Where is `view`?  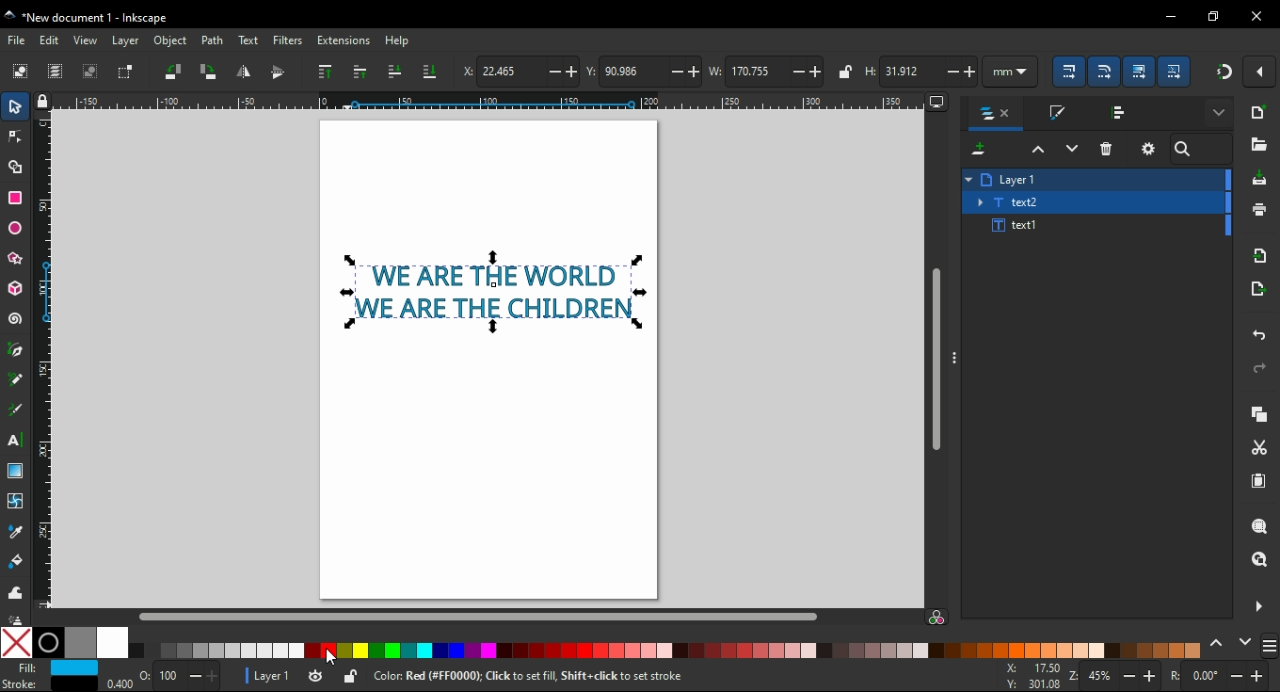
view is located at coordinates (87, 41).